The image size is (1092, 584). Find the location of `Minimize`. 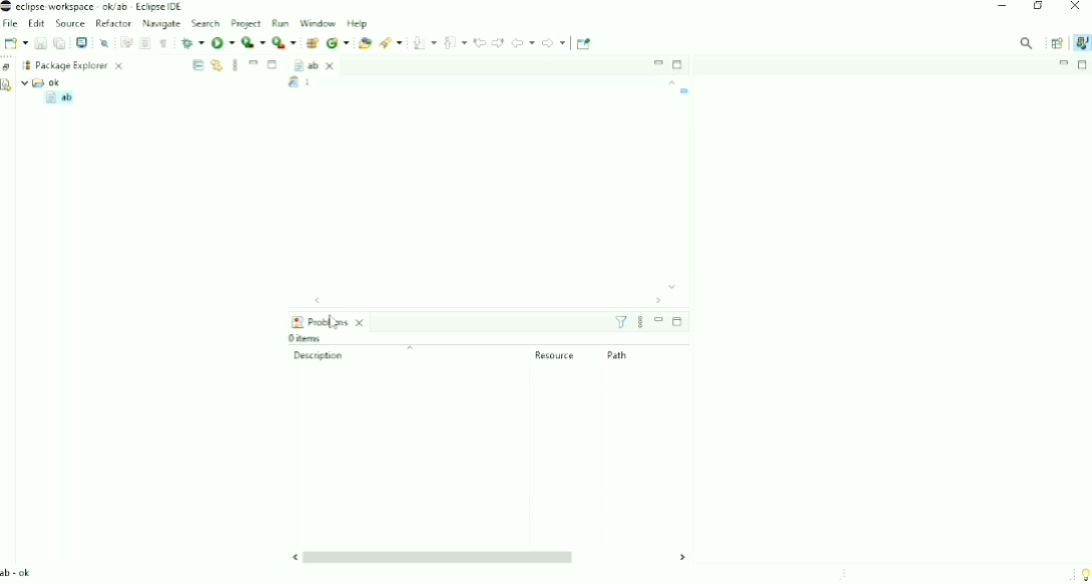

Minimize is located at coordinates (1064, 63).